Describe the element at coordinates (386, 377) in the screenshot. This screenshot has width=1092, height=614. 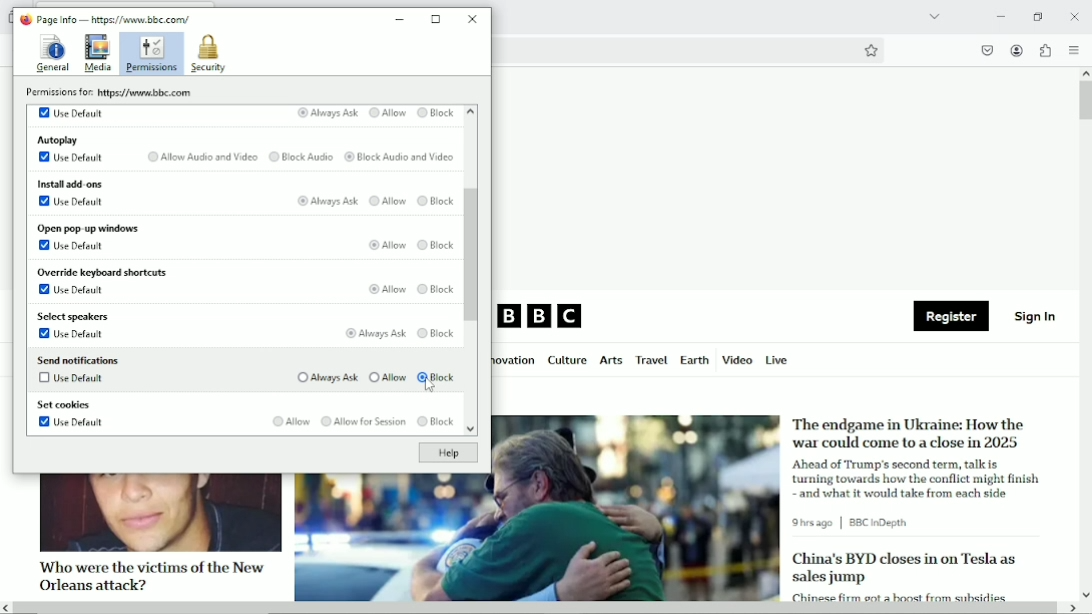
I see `Allow` at that location.